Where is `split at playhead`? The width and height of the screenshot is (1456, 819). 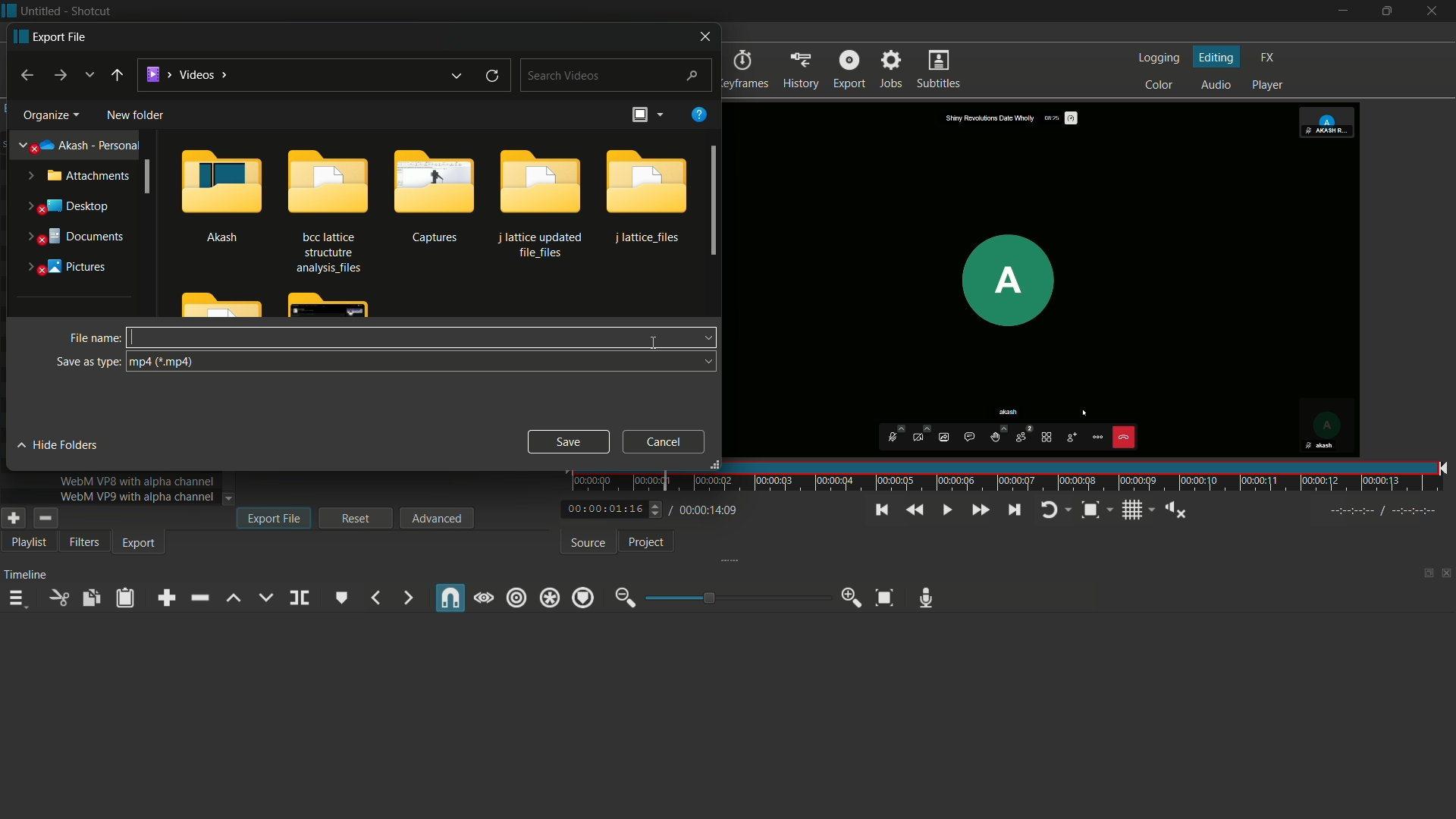
split at playhead is located at coordinates (299, 598).